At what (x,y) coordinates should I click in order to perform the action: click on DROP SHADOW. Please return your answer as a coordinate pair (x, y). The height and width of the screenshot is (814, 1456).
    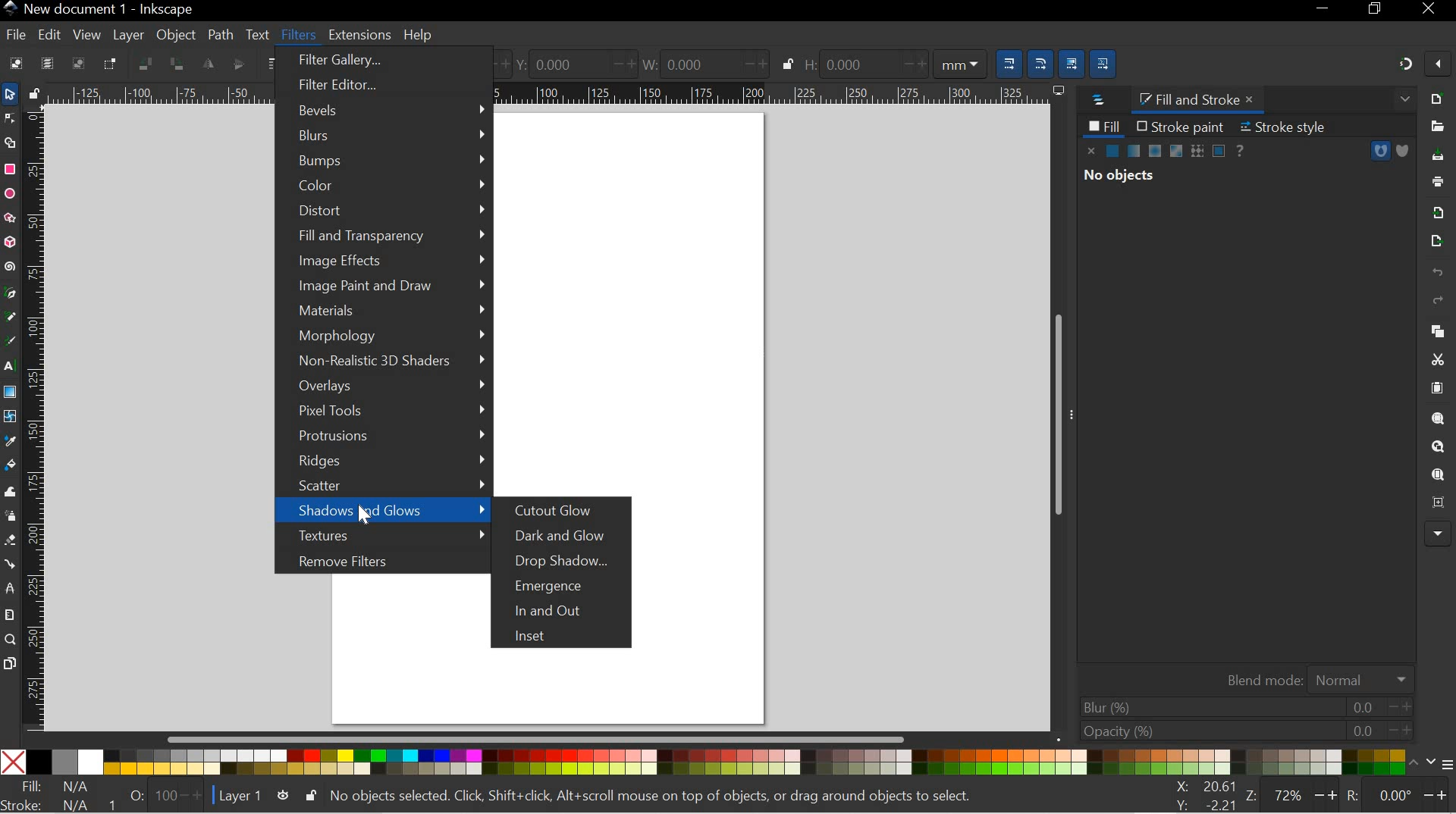
    Looking at the image, I should click on (568, 562).